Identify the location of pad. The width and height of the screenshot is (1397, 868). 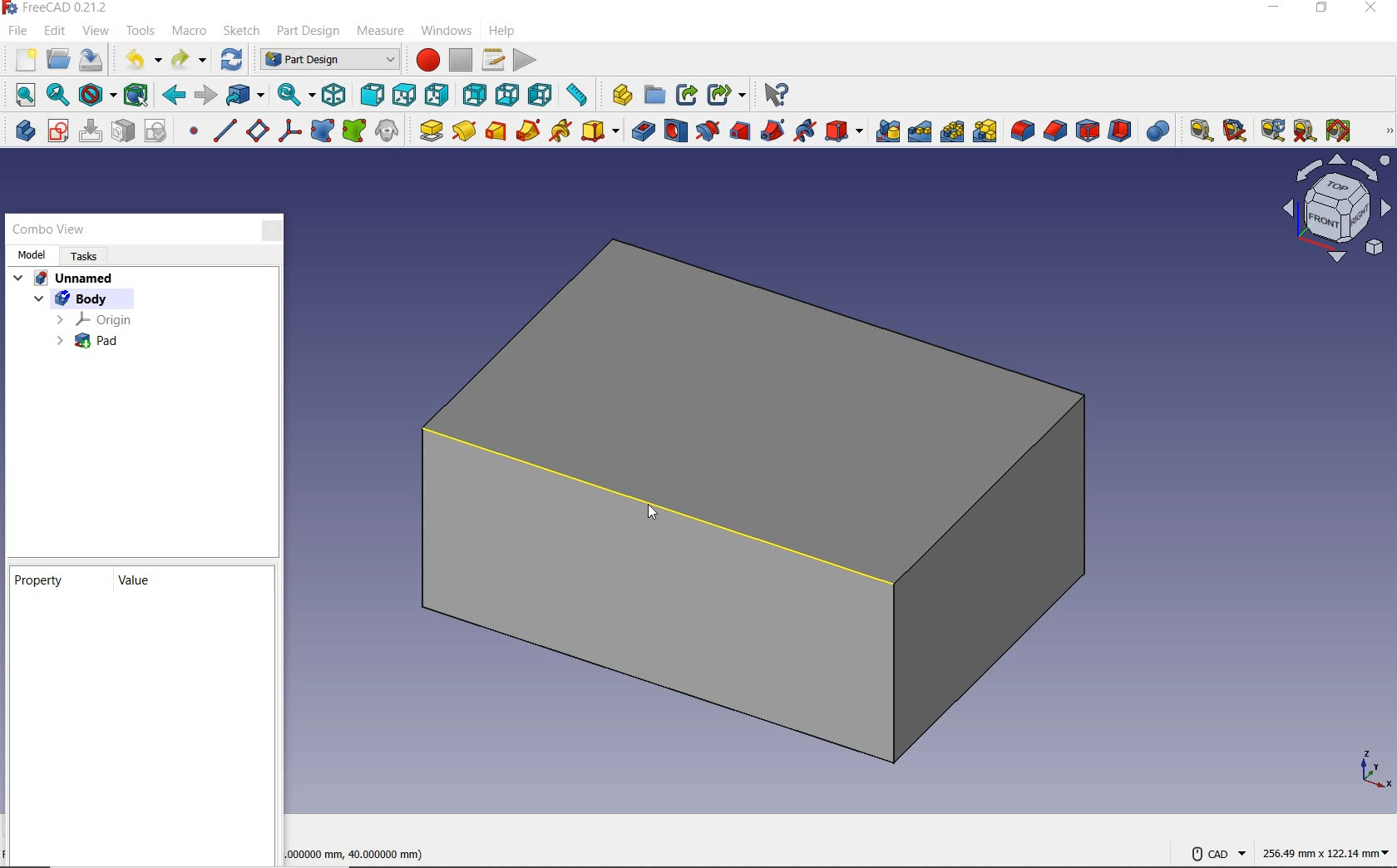
(83, 344).